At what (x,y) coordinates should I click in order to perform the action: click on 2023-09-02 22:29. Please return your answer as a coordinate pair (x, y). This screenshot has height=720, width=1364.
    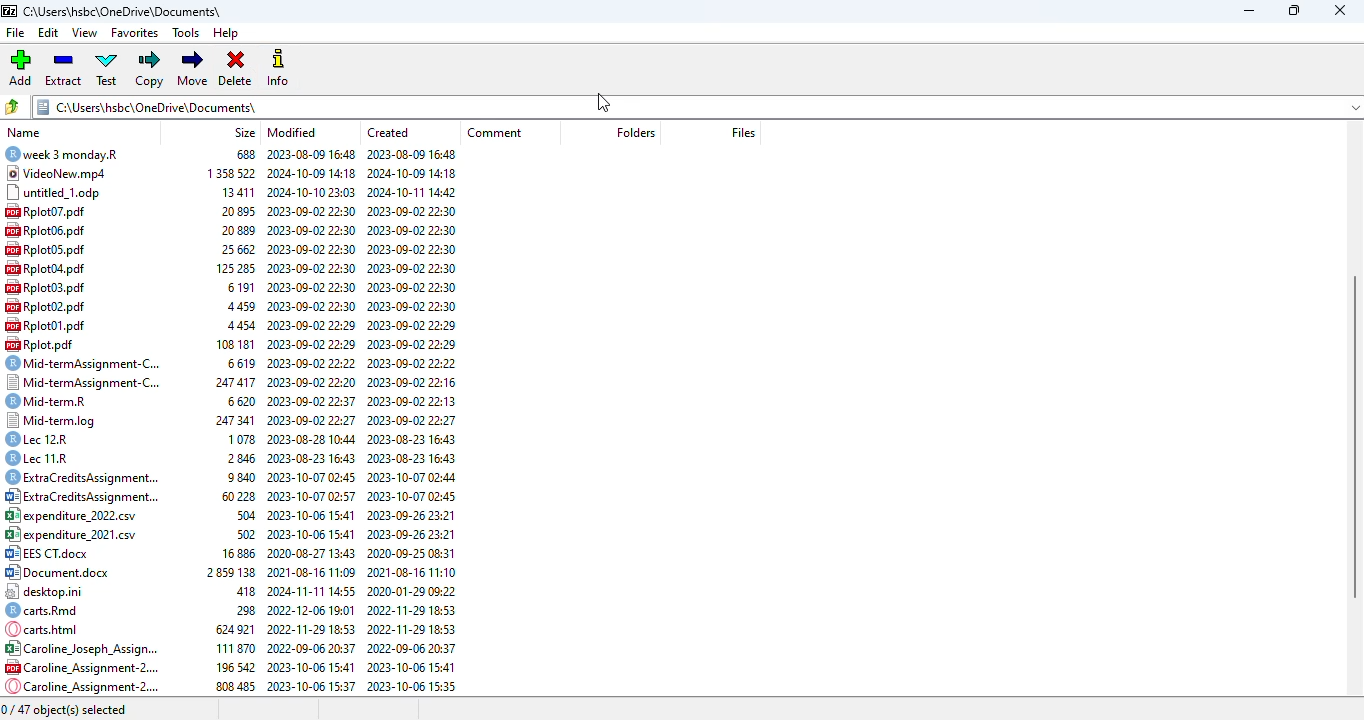
    Looking at the image, I should click on (312, 344).